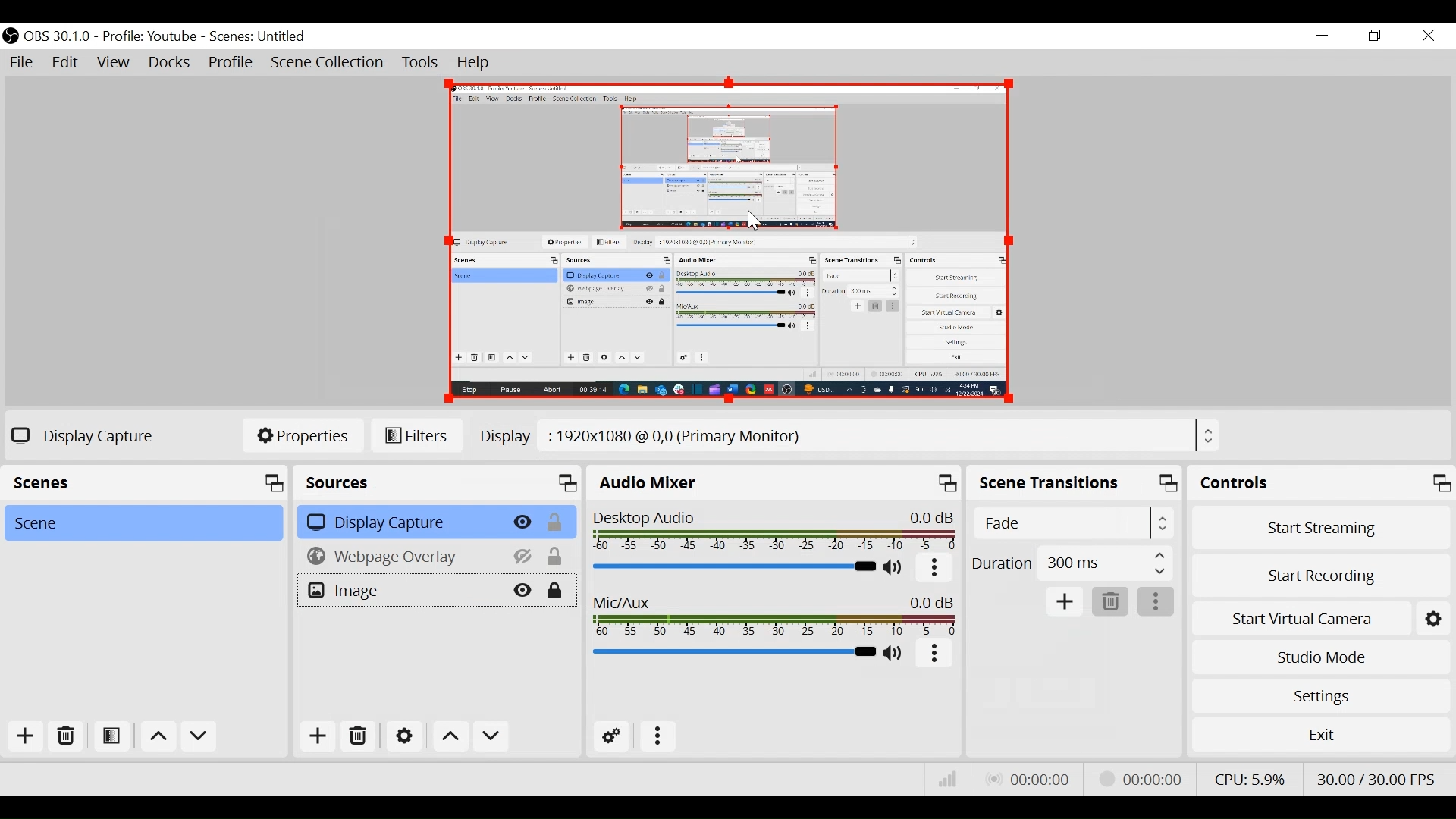  What do you see at coordinates (1322, 36) in the screenshot?
I see `minimize` at bounding box center [1322, 36].